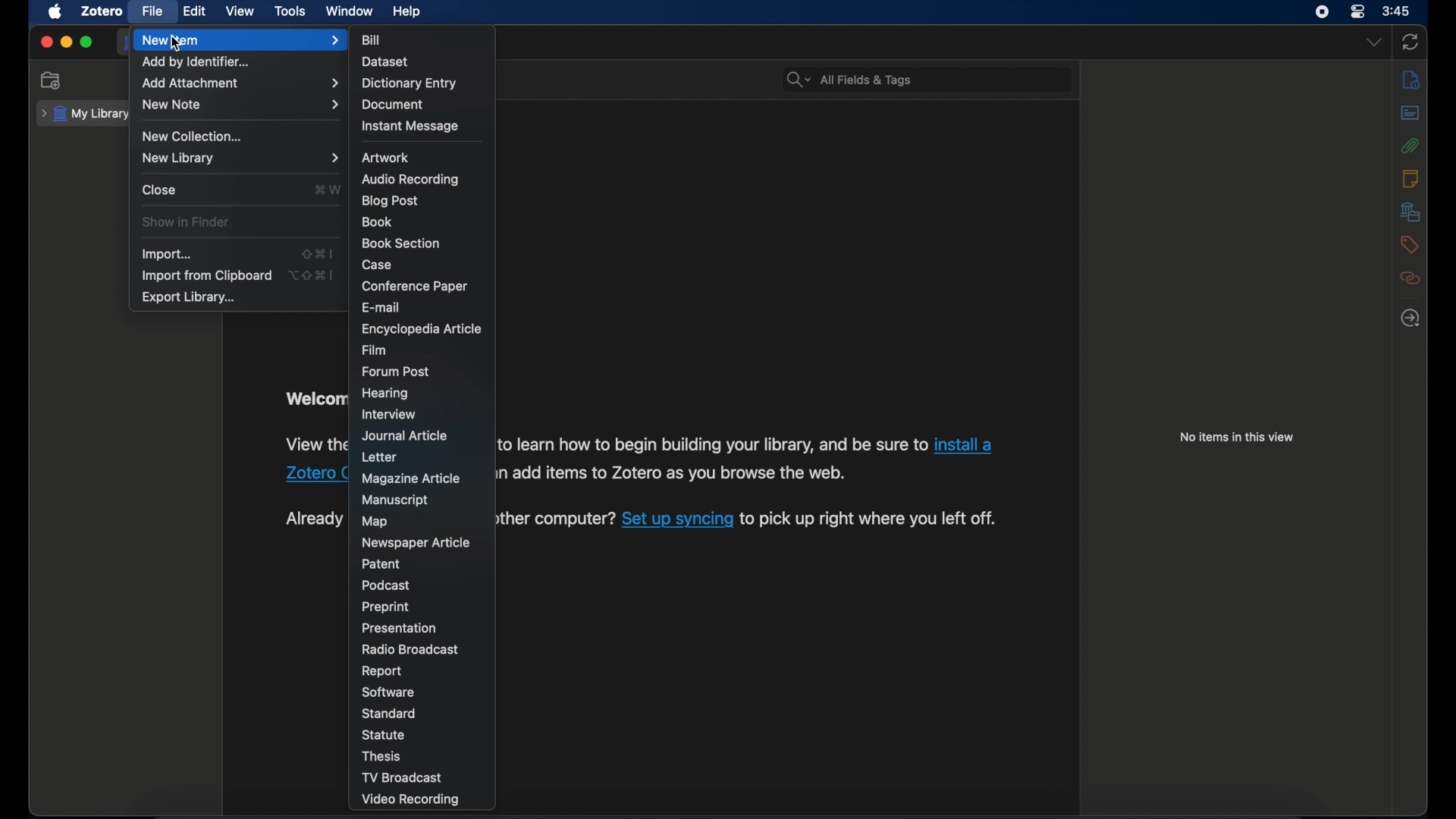  What do you see at coordinates (195, 63) in the screenshot?
I see `add by identifier` at bounding box center [195, 63].